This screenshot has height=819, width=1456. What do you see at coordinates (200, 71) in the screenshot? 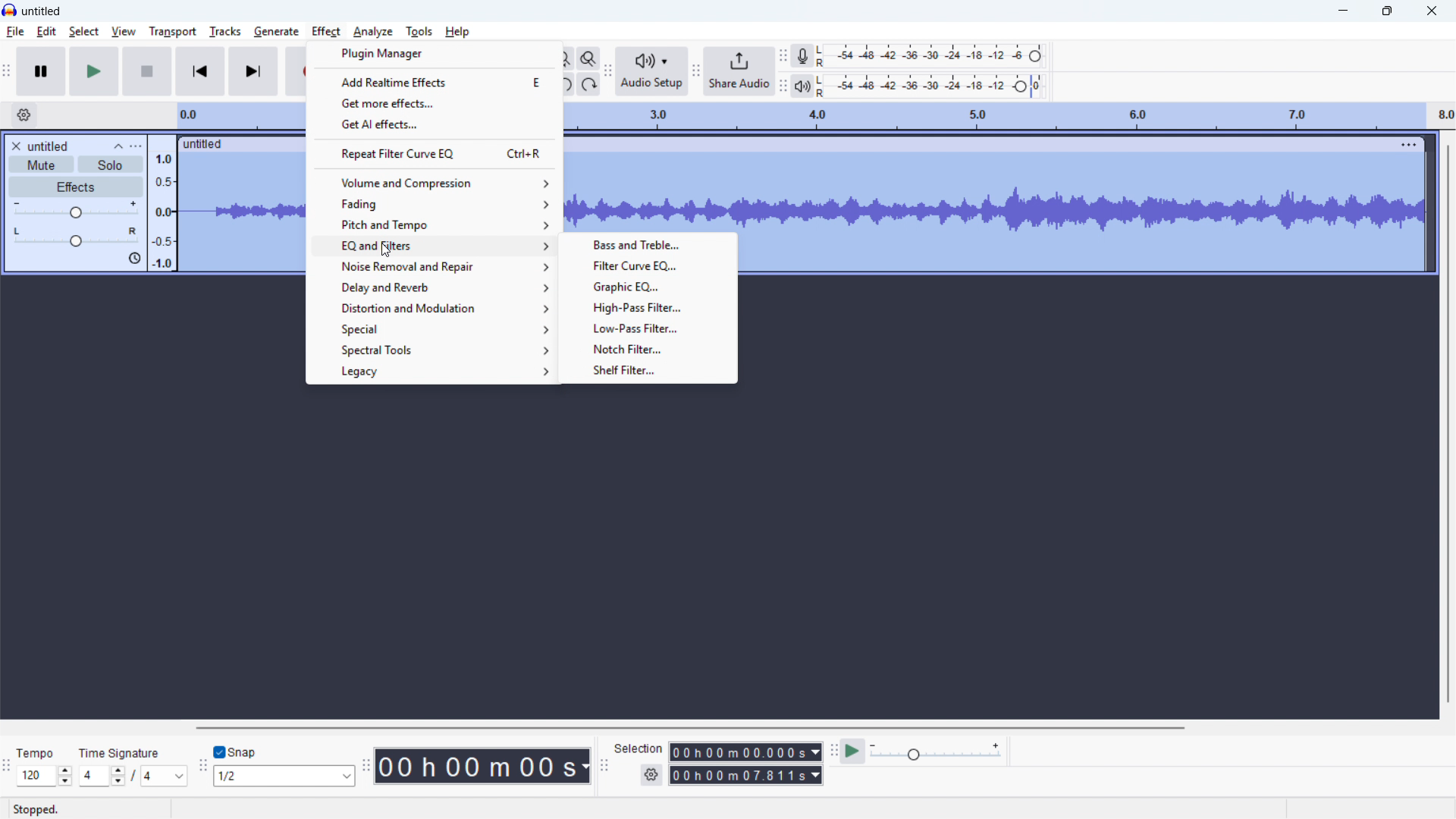
I see `skip to start` at bounding box center [200, 71].